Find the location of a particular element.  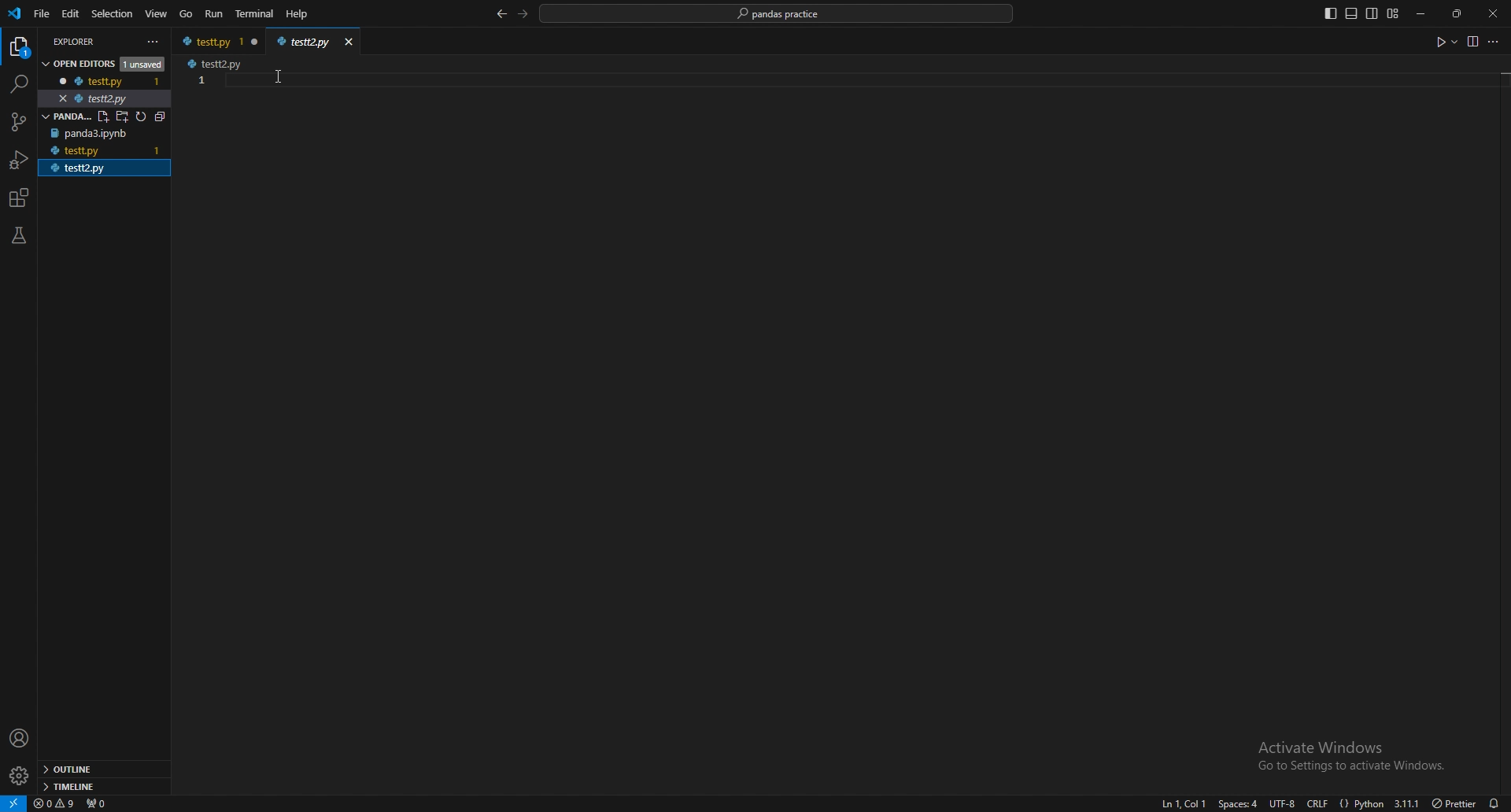

go is located at coordinates (186, 15).